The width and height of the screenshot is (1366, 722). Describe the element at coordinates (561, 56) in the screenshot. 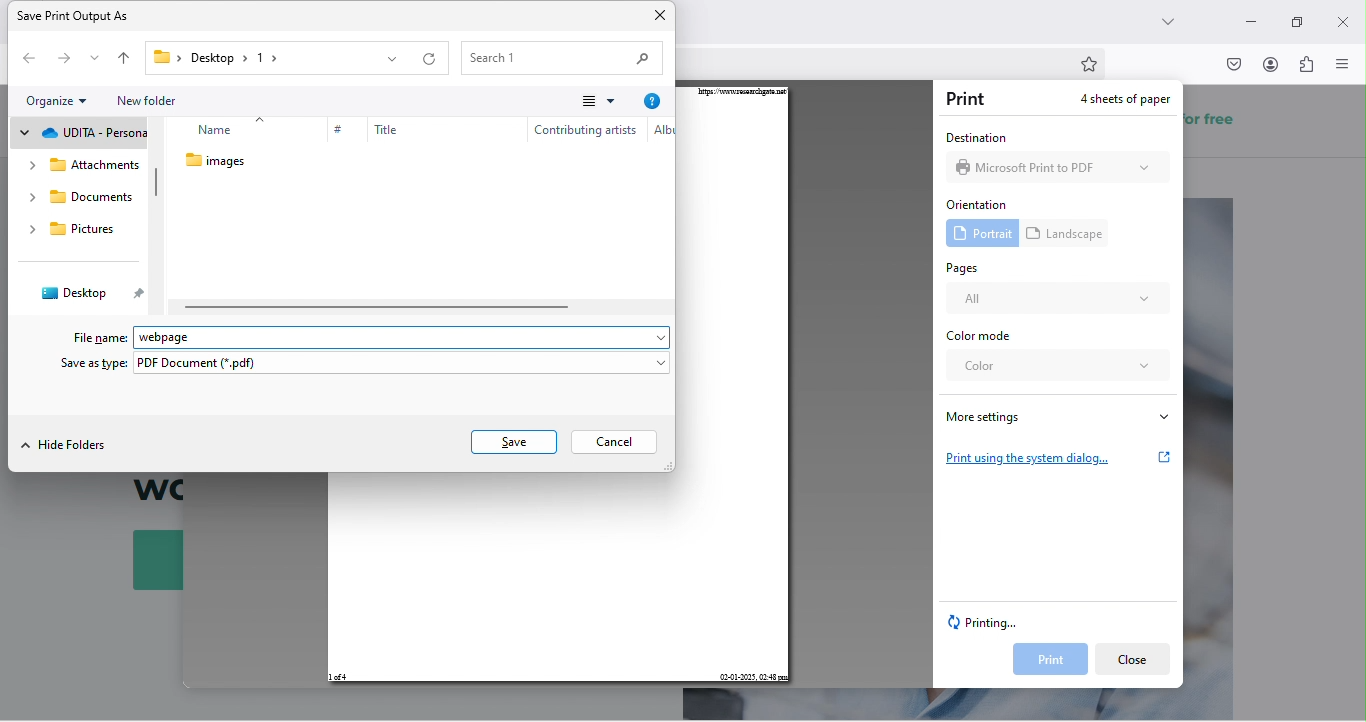

I see `search` at that location.